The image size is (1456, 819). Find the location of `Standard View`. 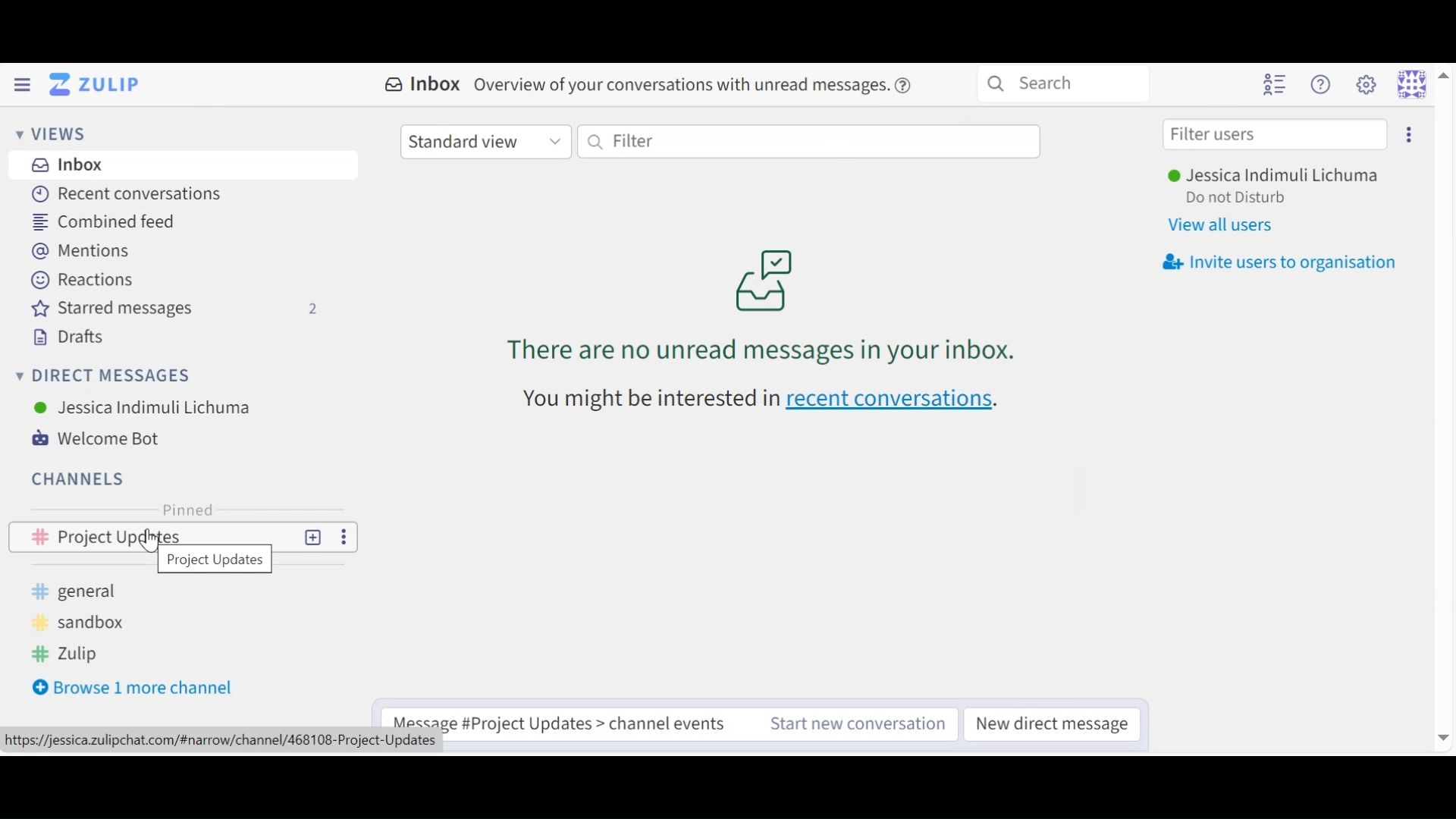

Standard View is located at coordinates (485, 140).